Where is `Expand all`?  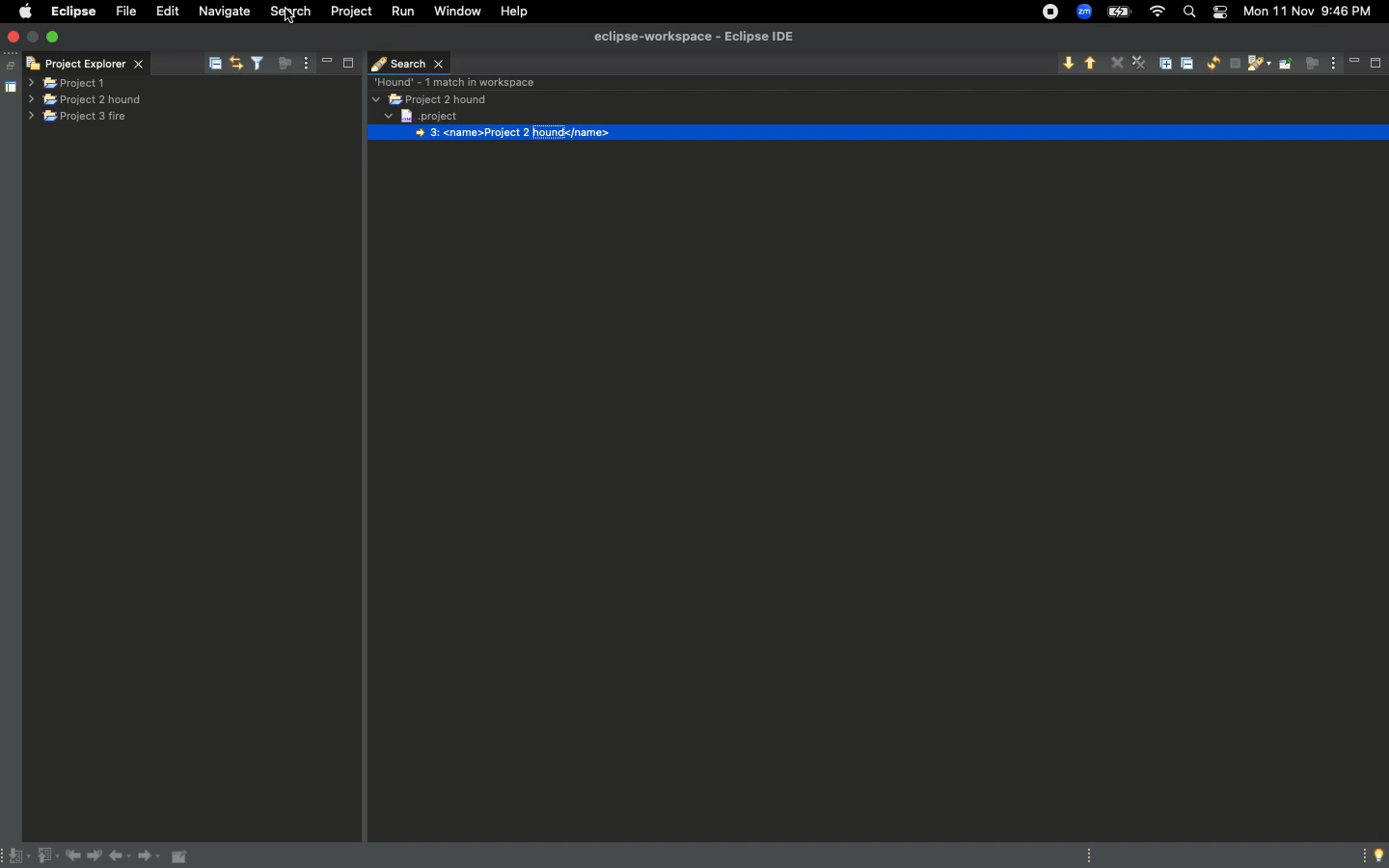
Expand all is located at coordinates (1169, 62).